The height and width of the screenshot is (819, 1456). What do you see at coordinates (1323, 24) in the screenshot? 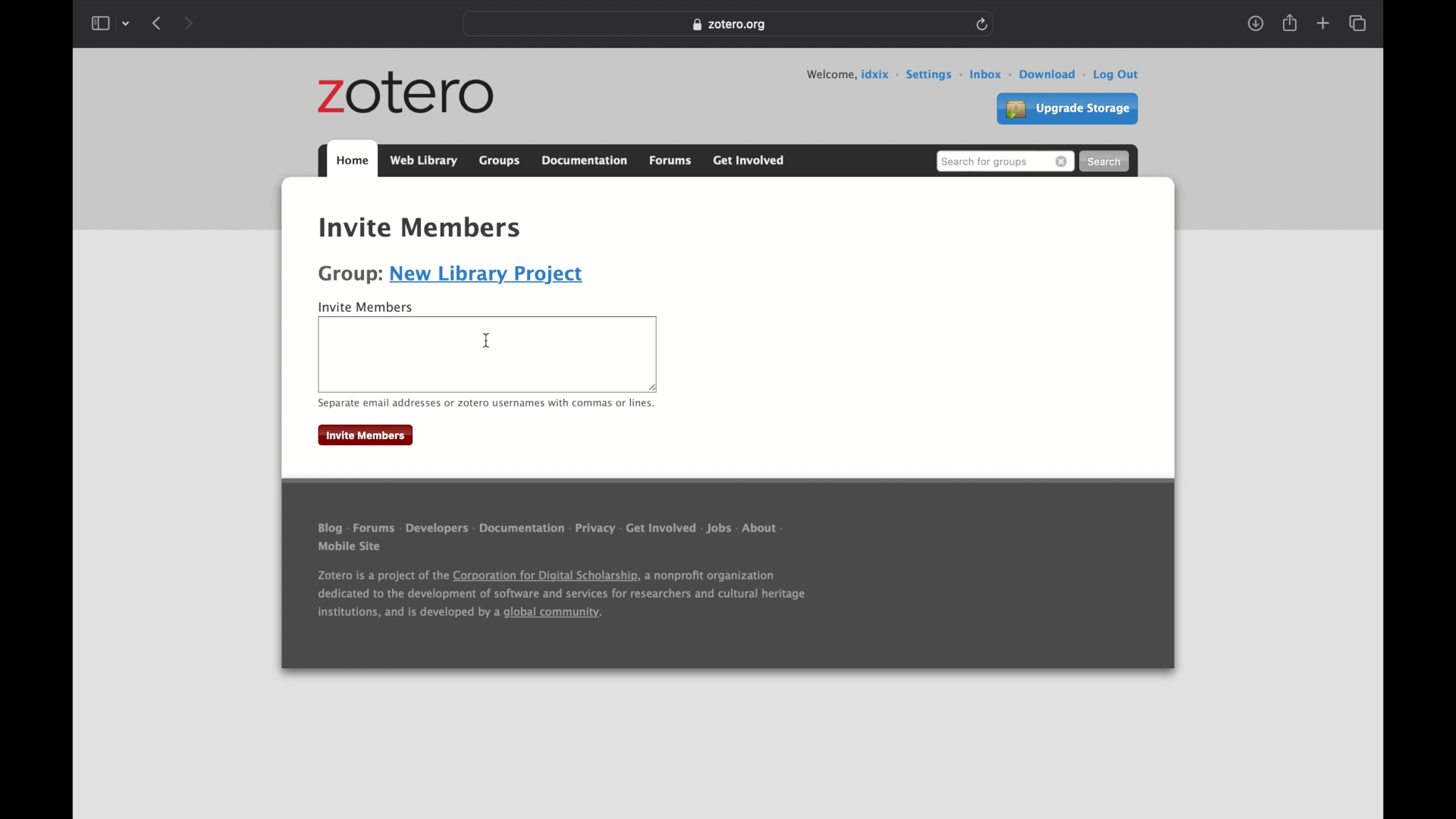
I see `new tab` at bounding box center [1323, 24].